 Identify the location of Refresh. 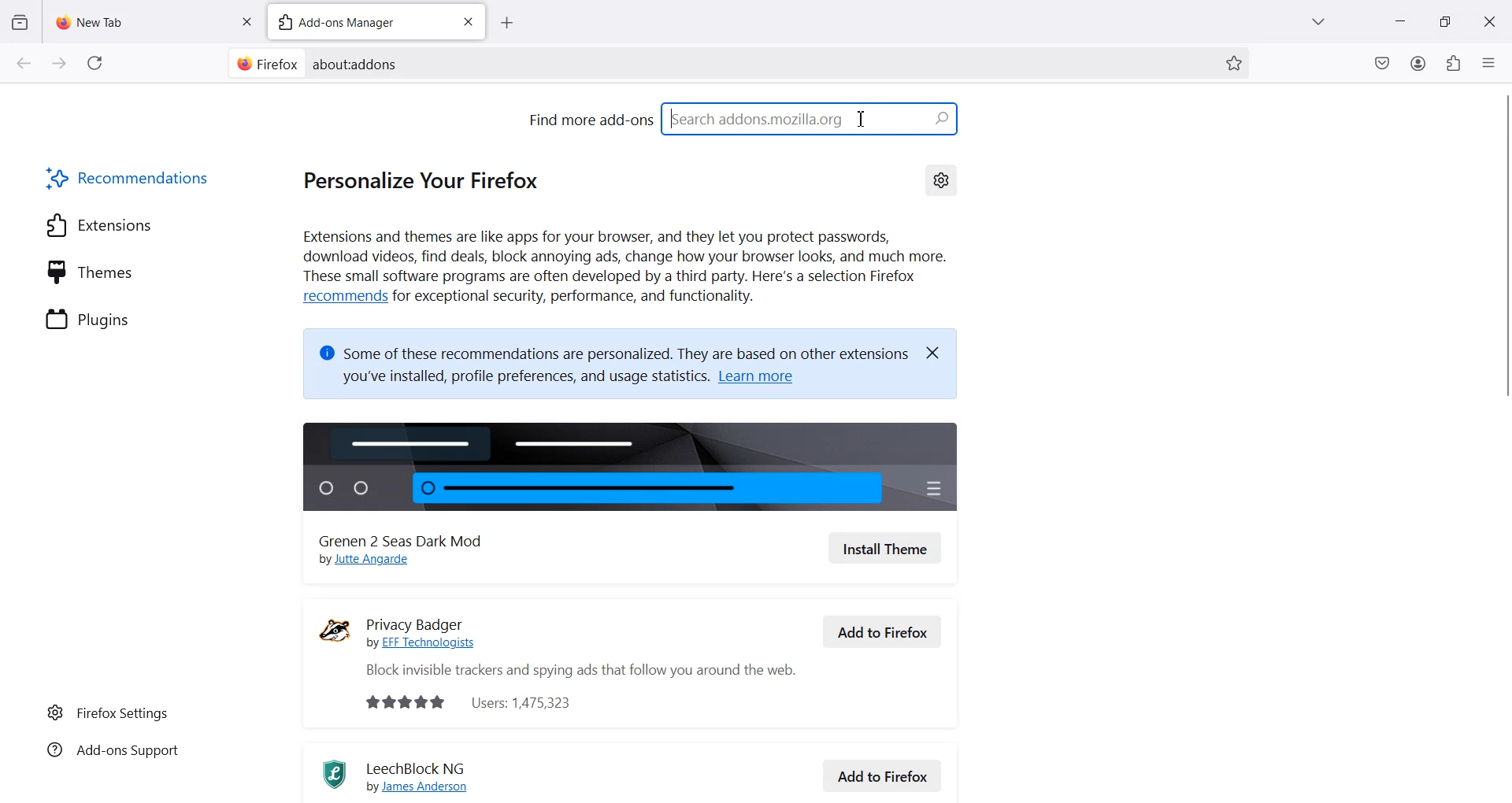
(95, 63).